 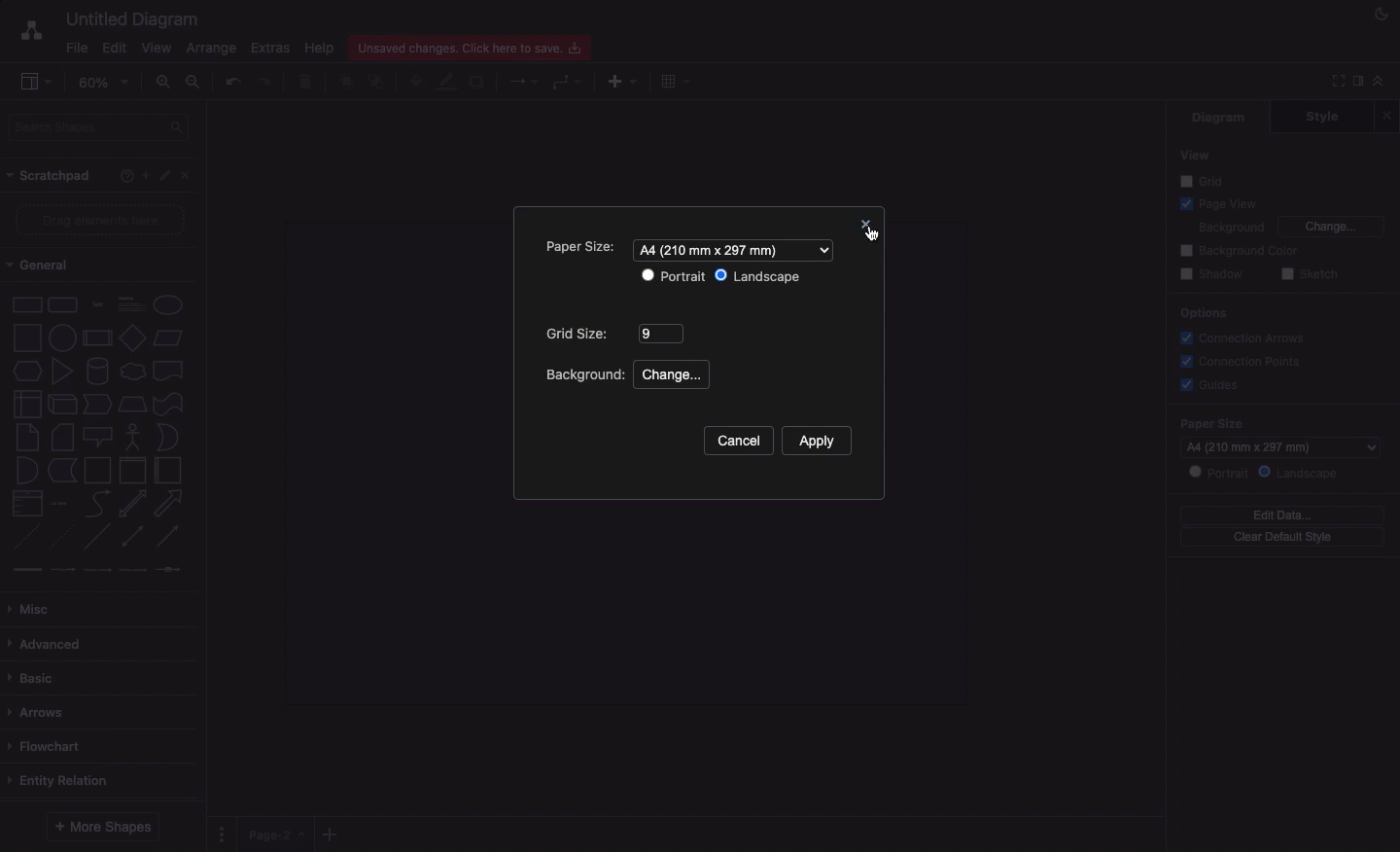 What do you see at coordinates (273, 49) in the screenshot?
I see `Extras` at bounding box center [273, 49].